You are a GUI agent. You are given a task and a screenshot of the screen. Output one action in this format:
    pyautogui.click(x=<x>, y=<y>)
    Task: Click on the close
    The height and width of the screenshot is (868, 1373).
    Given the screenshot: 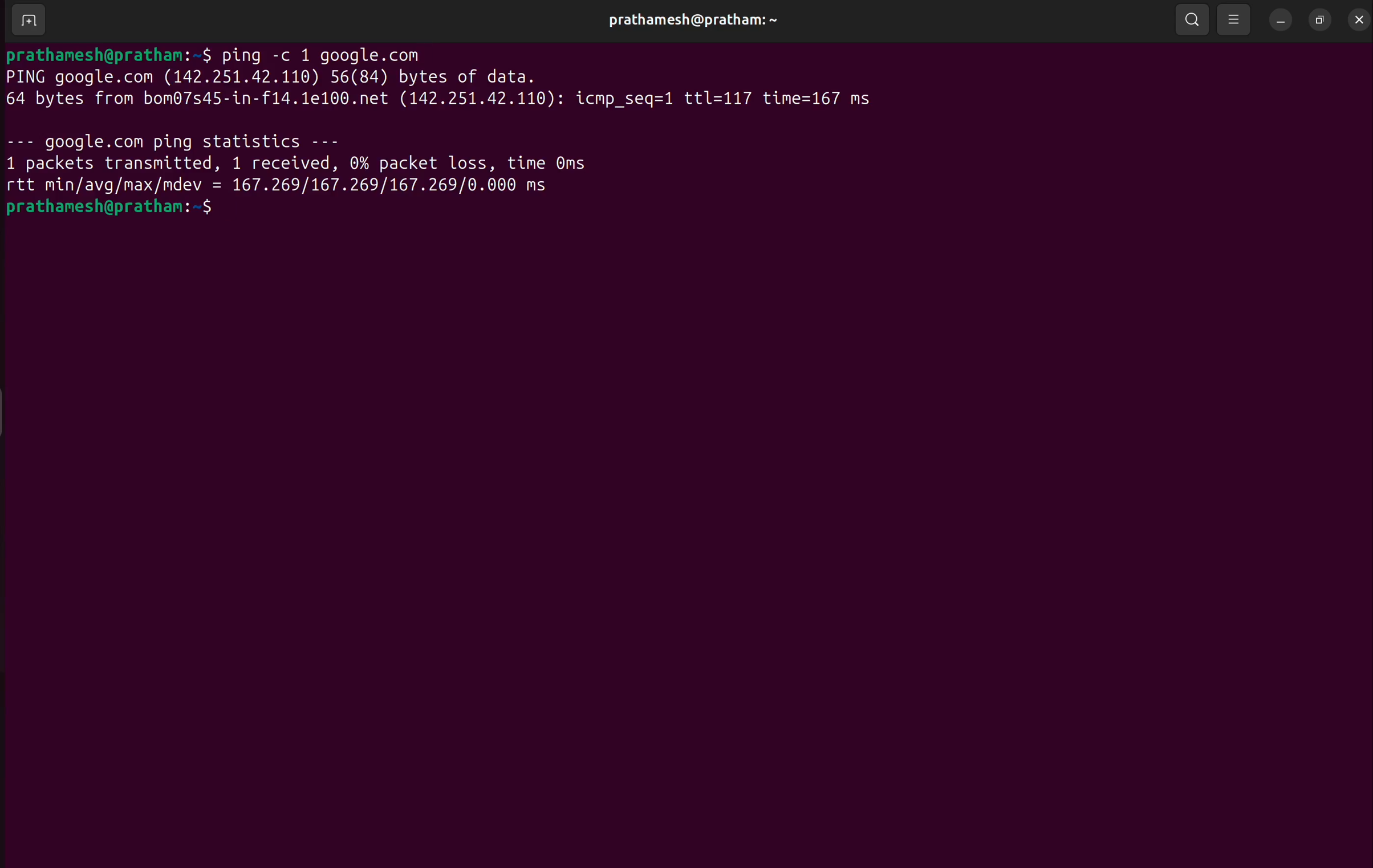 What is the action you would take?
    pyautogui.click(x=1358, y=17)
    